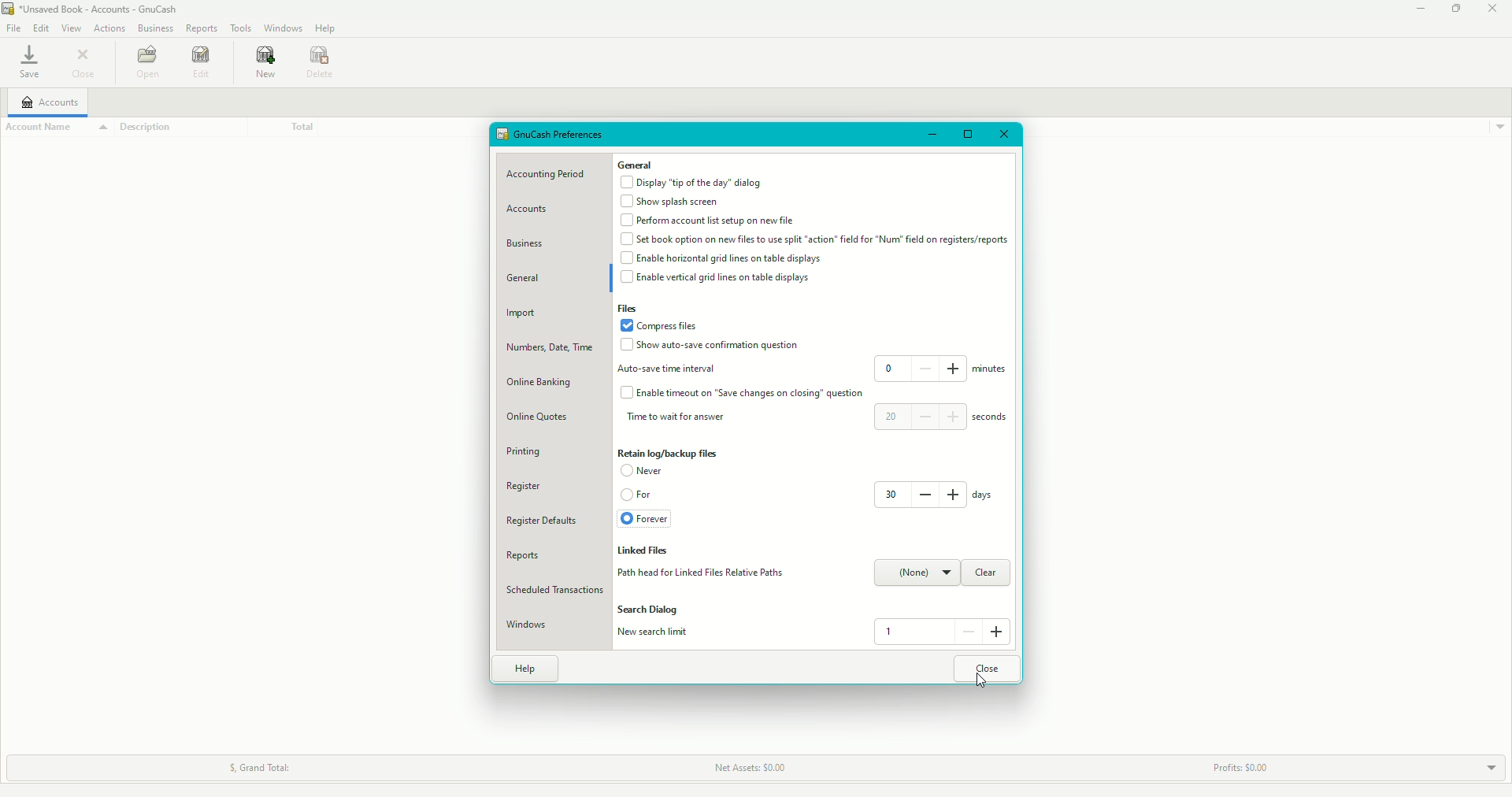 This screenshot has width=1512, height=797. Describe the element at coordinates (555, 589) in the screenshot. I see `Scheduled Transactions` at that location.